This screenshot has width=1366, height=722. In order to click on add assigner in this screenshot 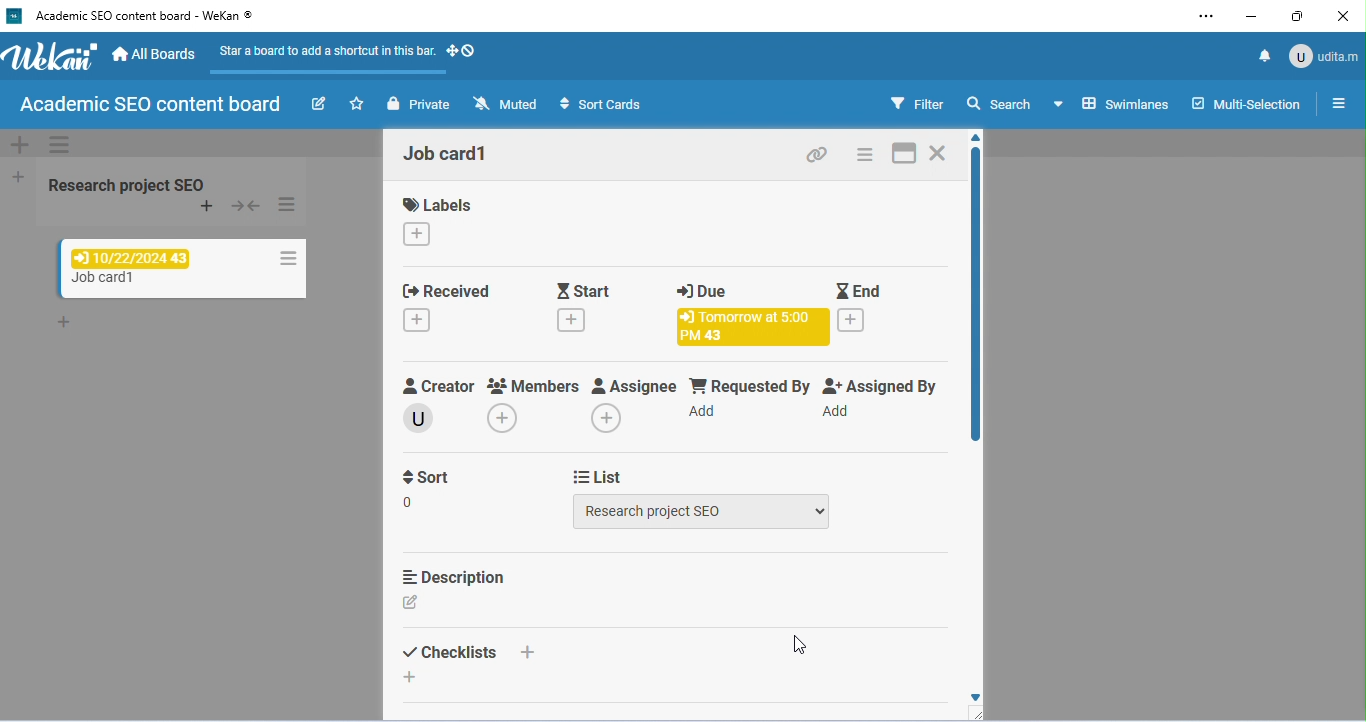, I will do `click(840, 409)`.